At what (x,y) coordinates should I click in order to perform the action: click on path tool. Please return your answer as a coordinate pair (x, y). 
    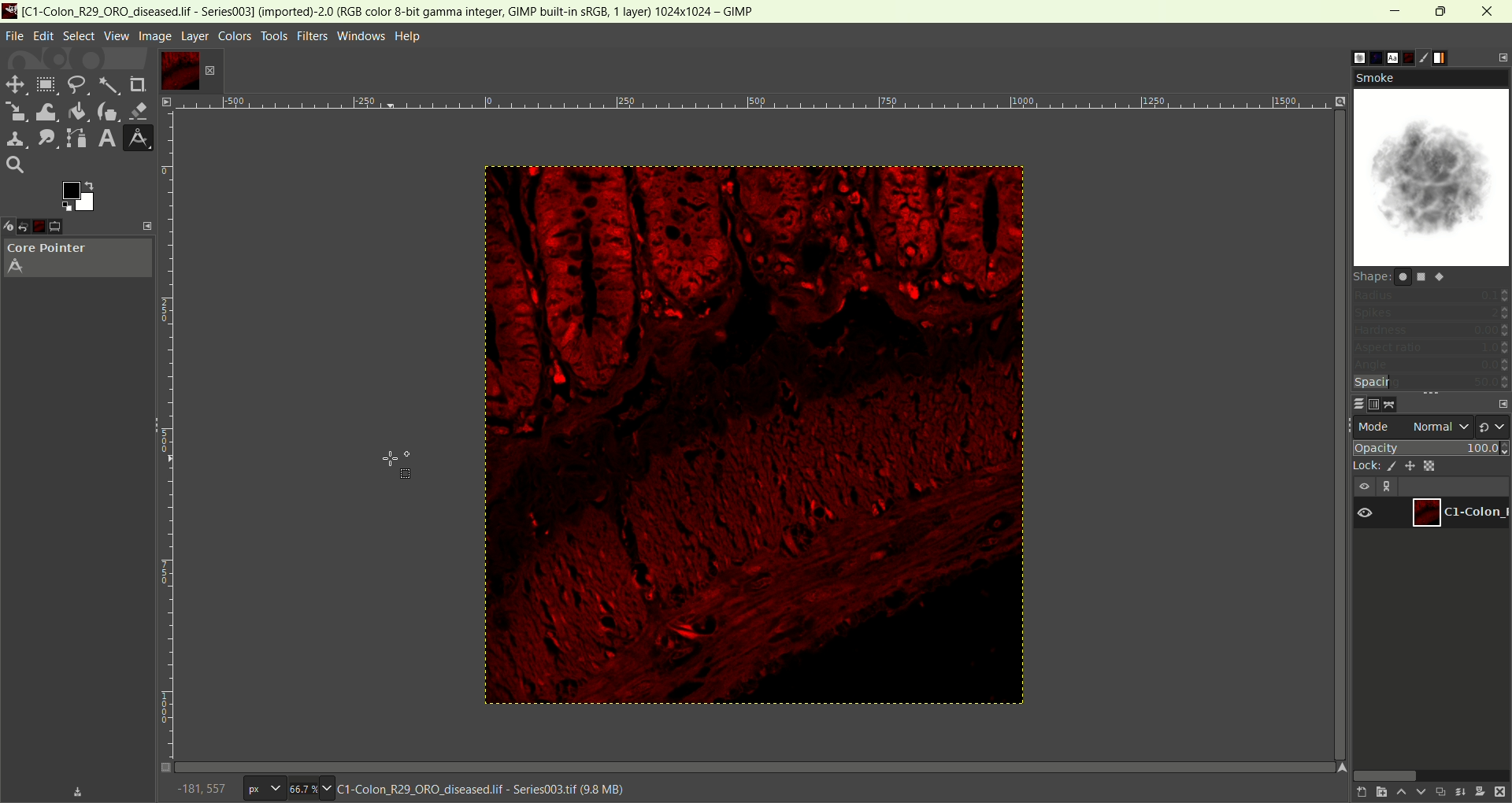
    Looking at the image, I should click on (73, 137).